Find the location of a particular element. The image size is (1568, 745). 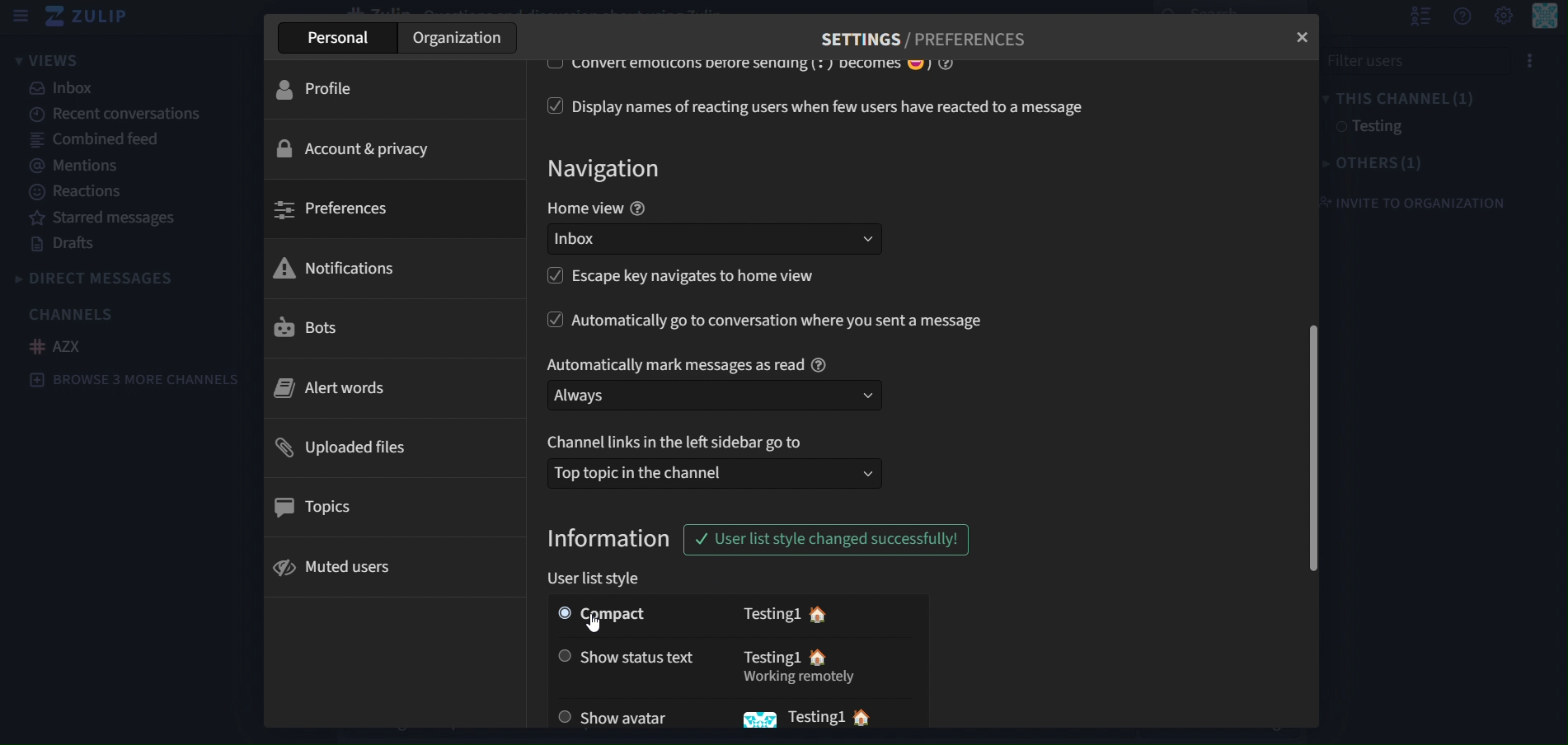

sidebar is located at coordinates (20, 16).